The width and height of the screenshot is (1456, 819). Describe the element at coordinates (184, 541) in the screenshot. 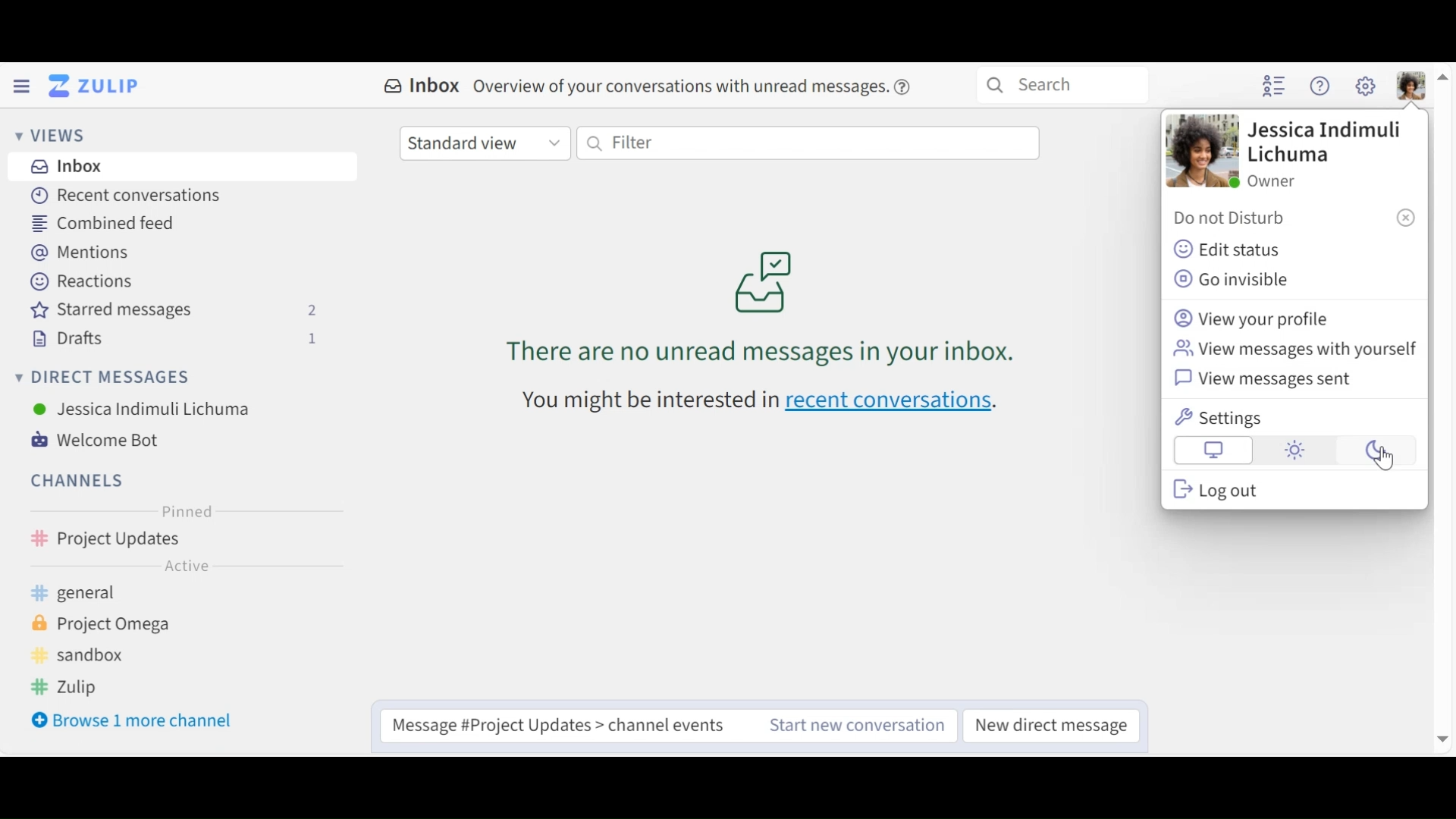

I see `Project Updates` at that location.